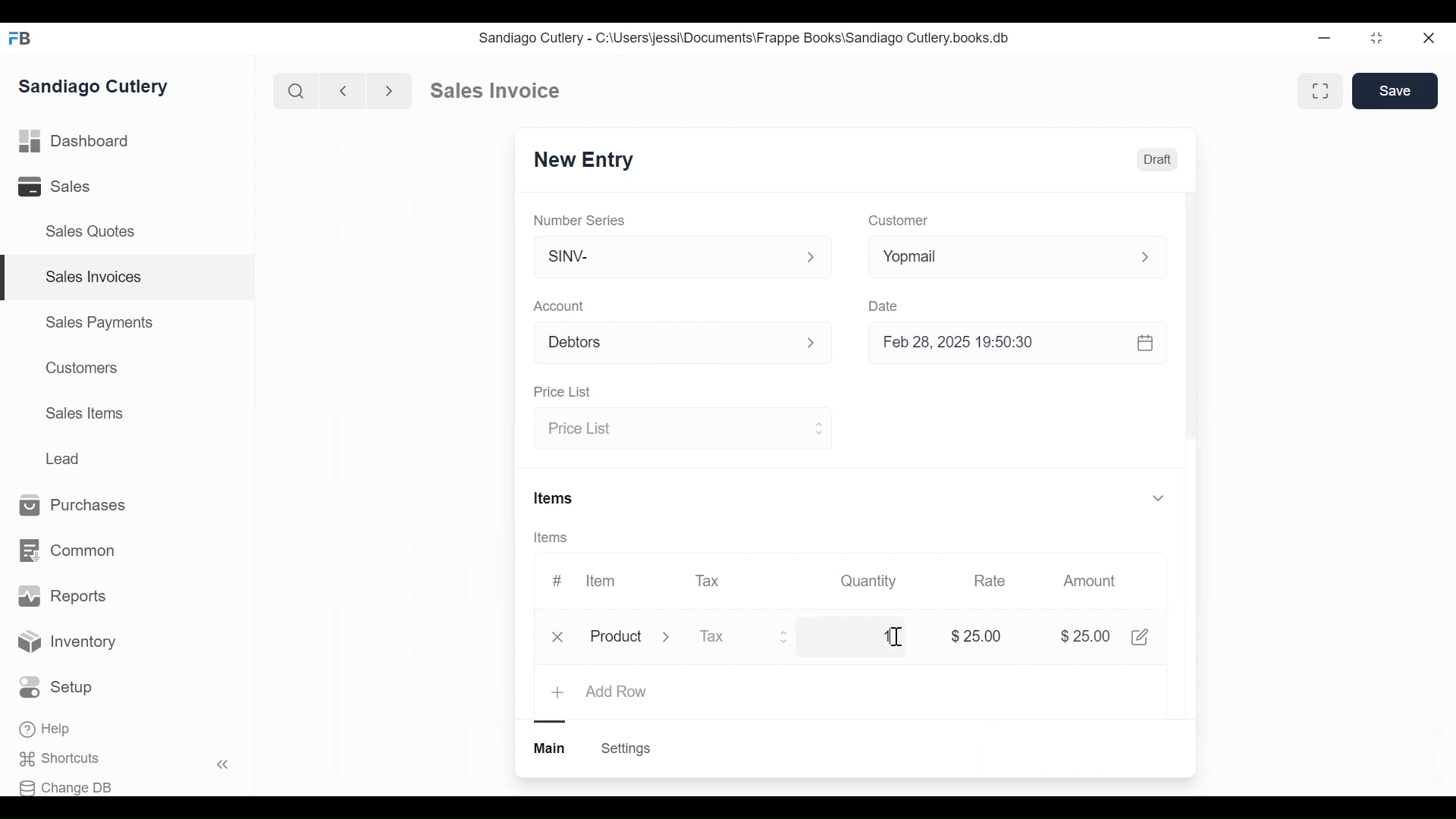  Describe the element at coordinates (344, 90) in the screenshot. I see `backward` at that location.